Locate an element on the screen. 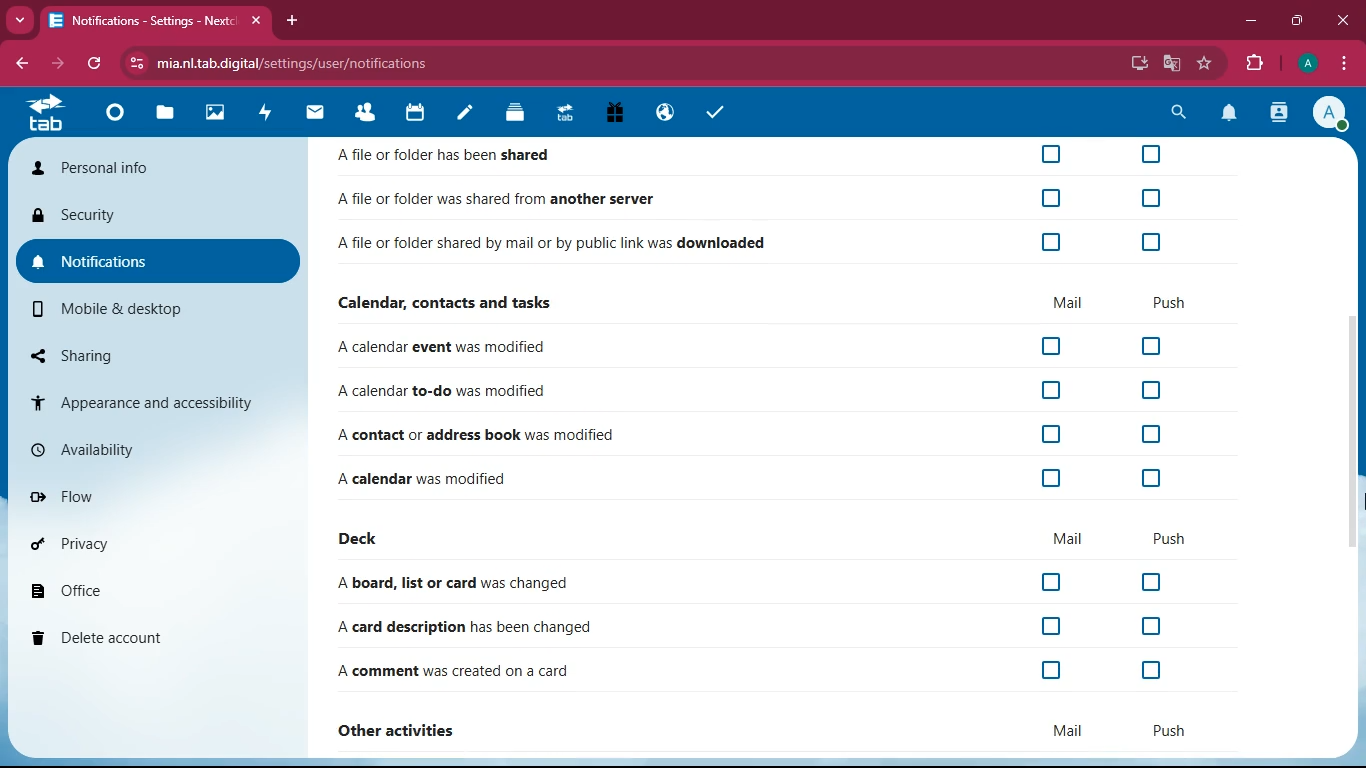 The height and width of the screenshot is (768, 1366). notes is located at coordinates (466, 113).